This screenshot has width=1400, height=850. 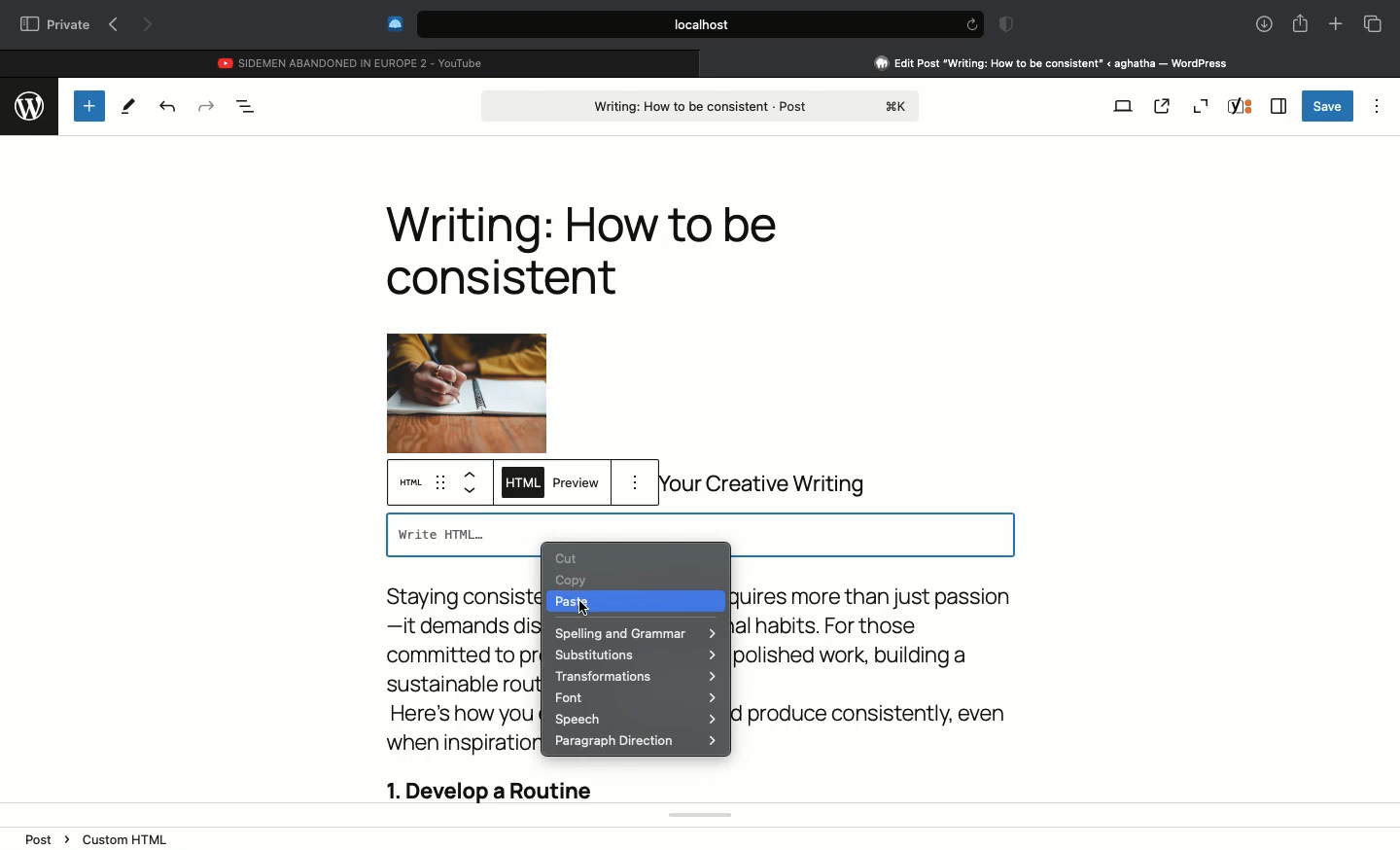 What do you see at coordinates (636, 696) in the screenshot?
I see `Font` at bounding box center [636, 696].